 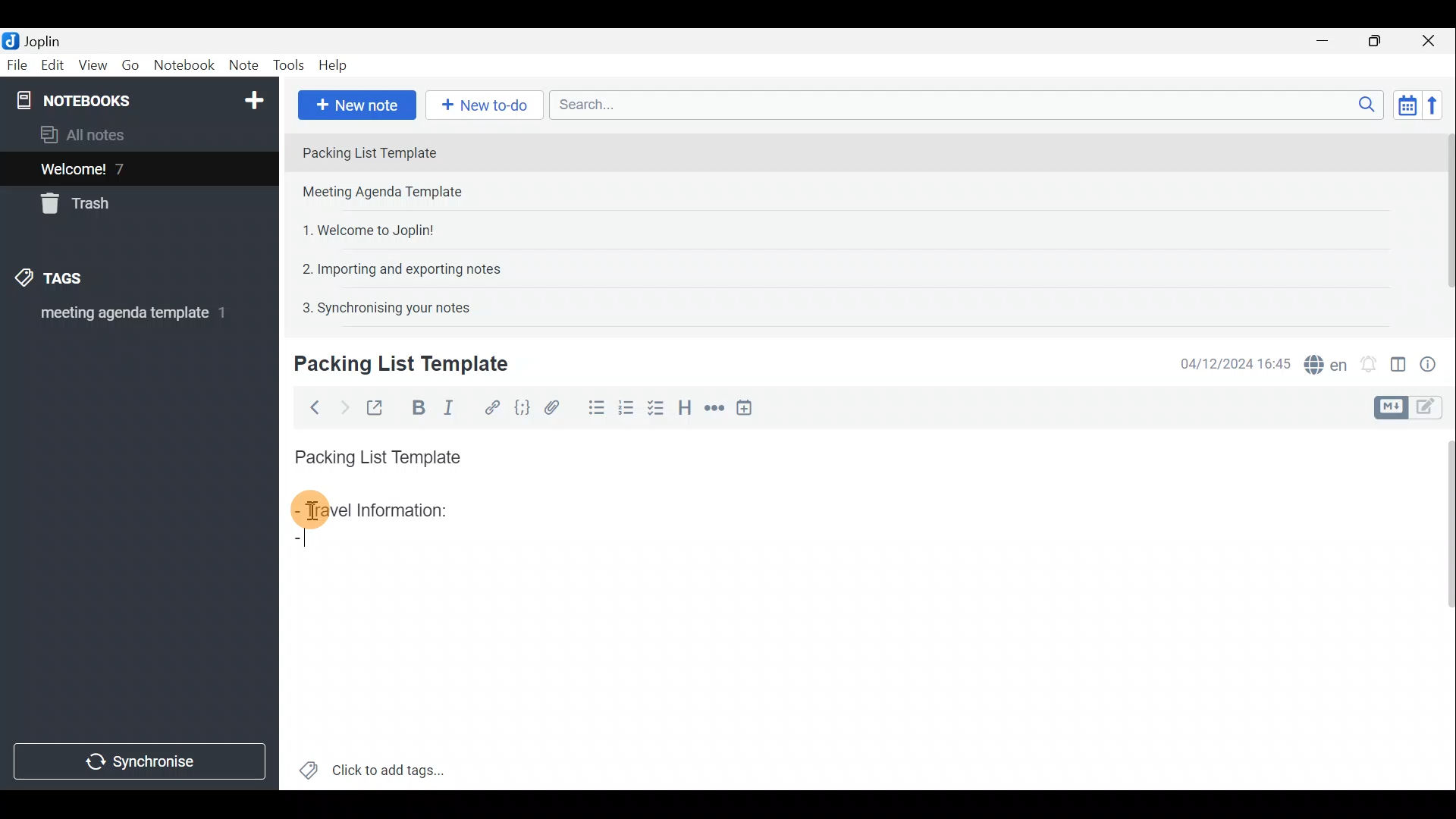 What do you see at coordinates (376, 406) in the screenshot?
I see `Toggle external editing` at bounding box center [376, 406].